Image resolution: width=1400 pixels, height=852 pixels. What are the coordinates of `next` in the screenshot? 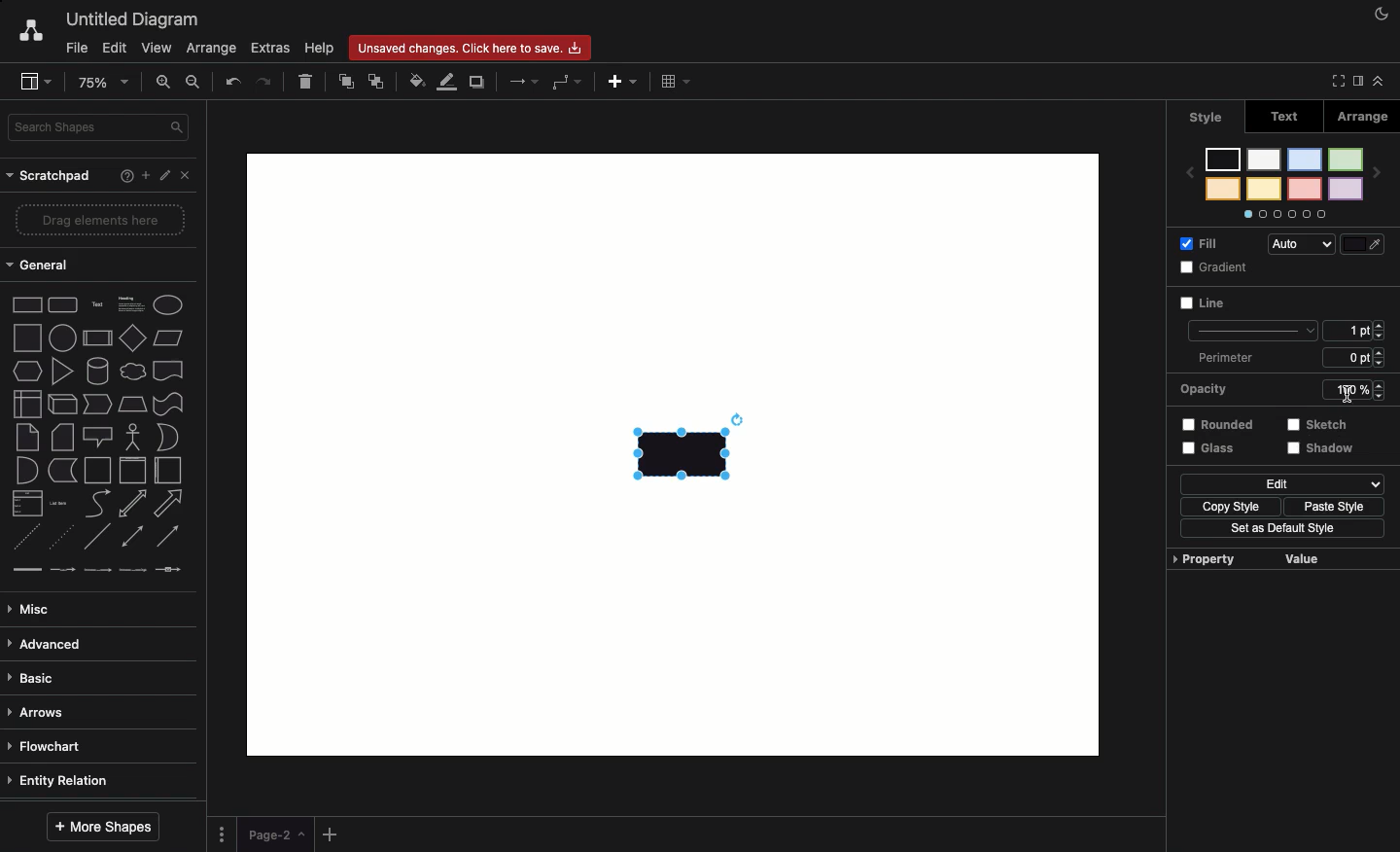 It's located at (1375, 172).